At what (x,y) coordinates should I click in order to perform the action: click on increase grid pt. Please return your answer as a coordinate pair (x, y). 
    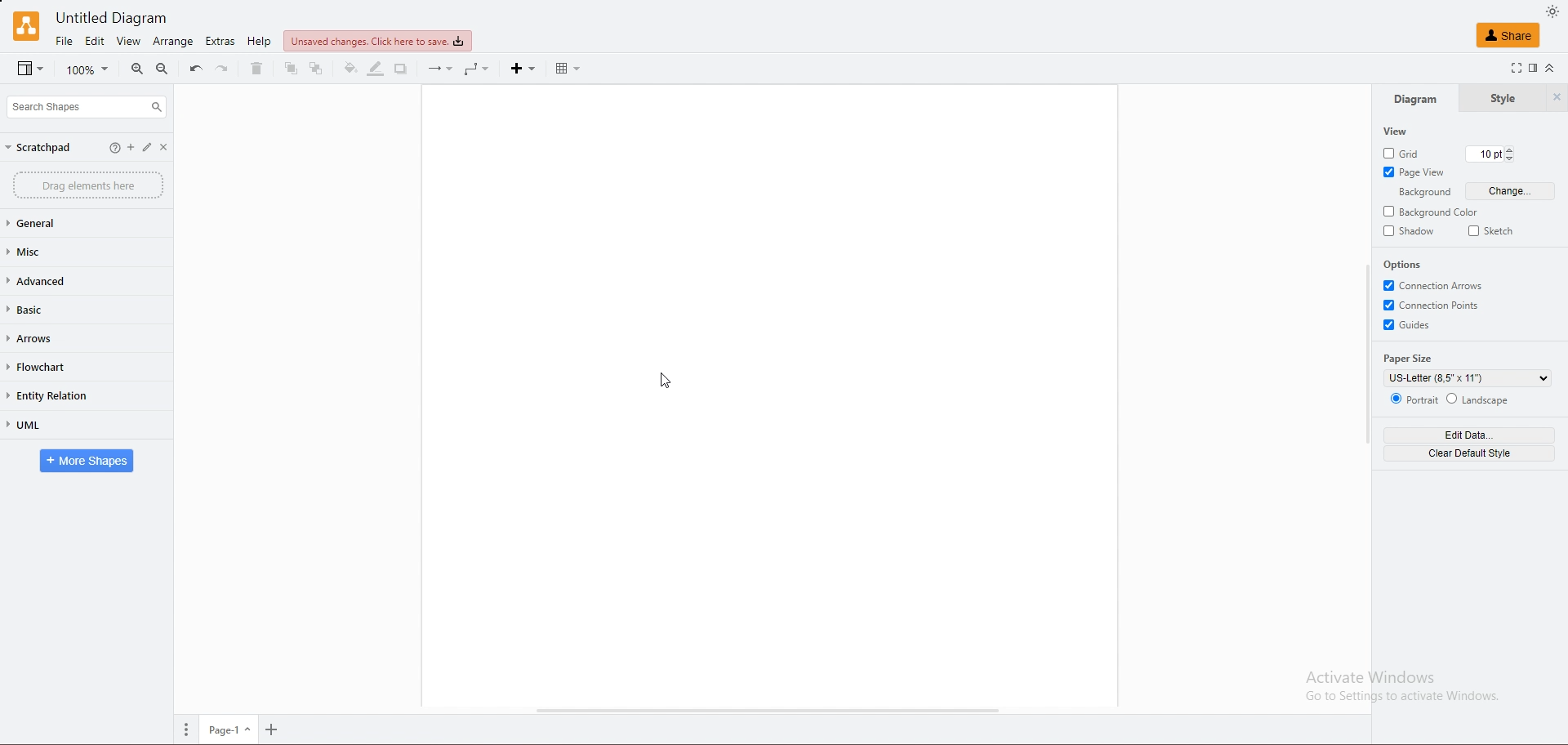
    Looking at the image, I should click on (1510, 148).